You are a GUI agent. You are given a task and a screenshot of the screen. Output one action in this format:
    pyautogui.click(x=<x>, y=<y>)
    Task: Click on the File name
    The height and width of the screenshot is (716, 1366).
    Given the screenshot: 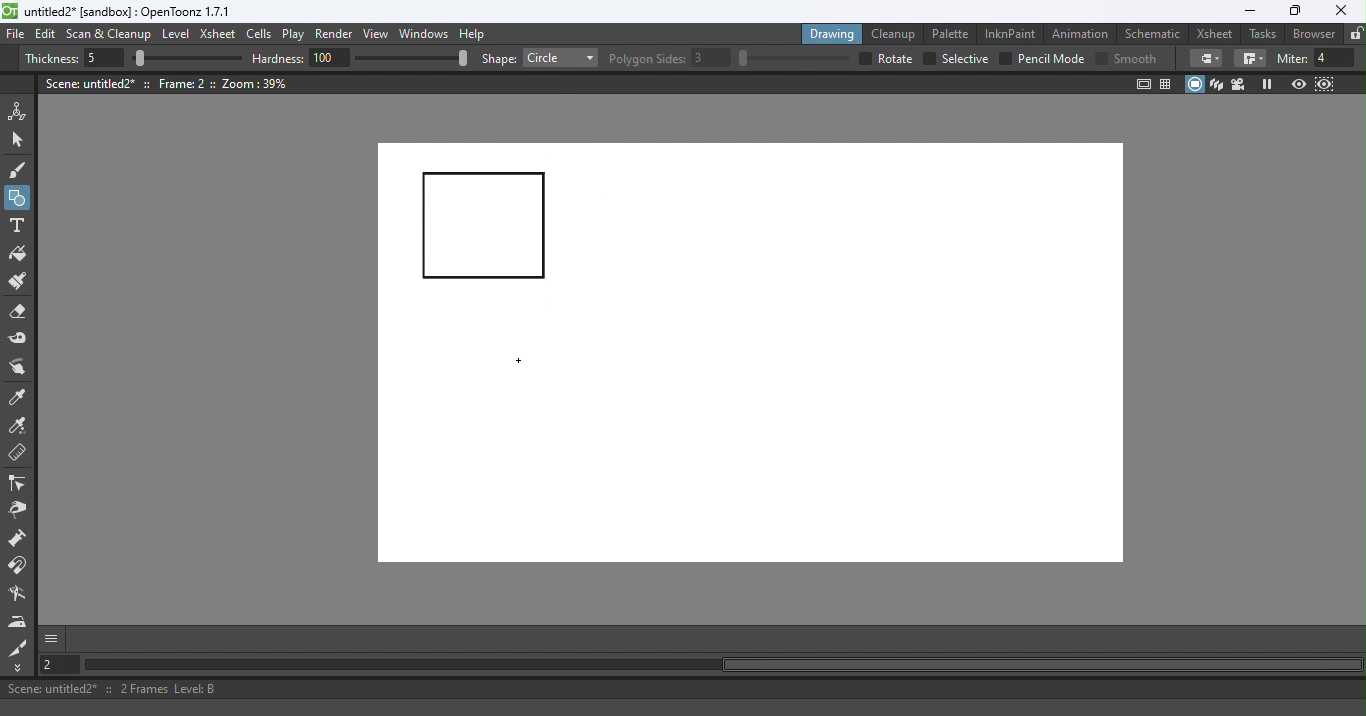 What is the action you would take?
    pyautogui.click(x=129, y=12)
    